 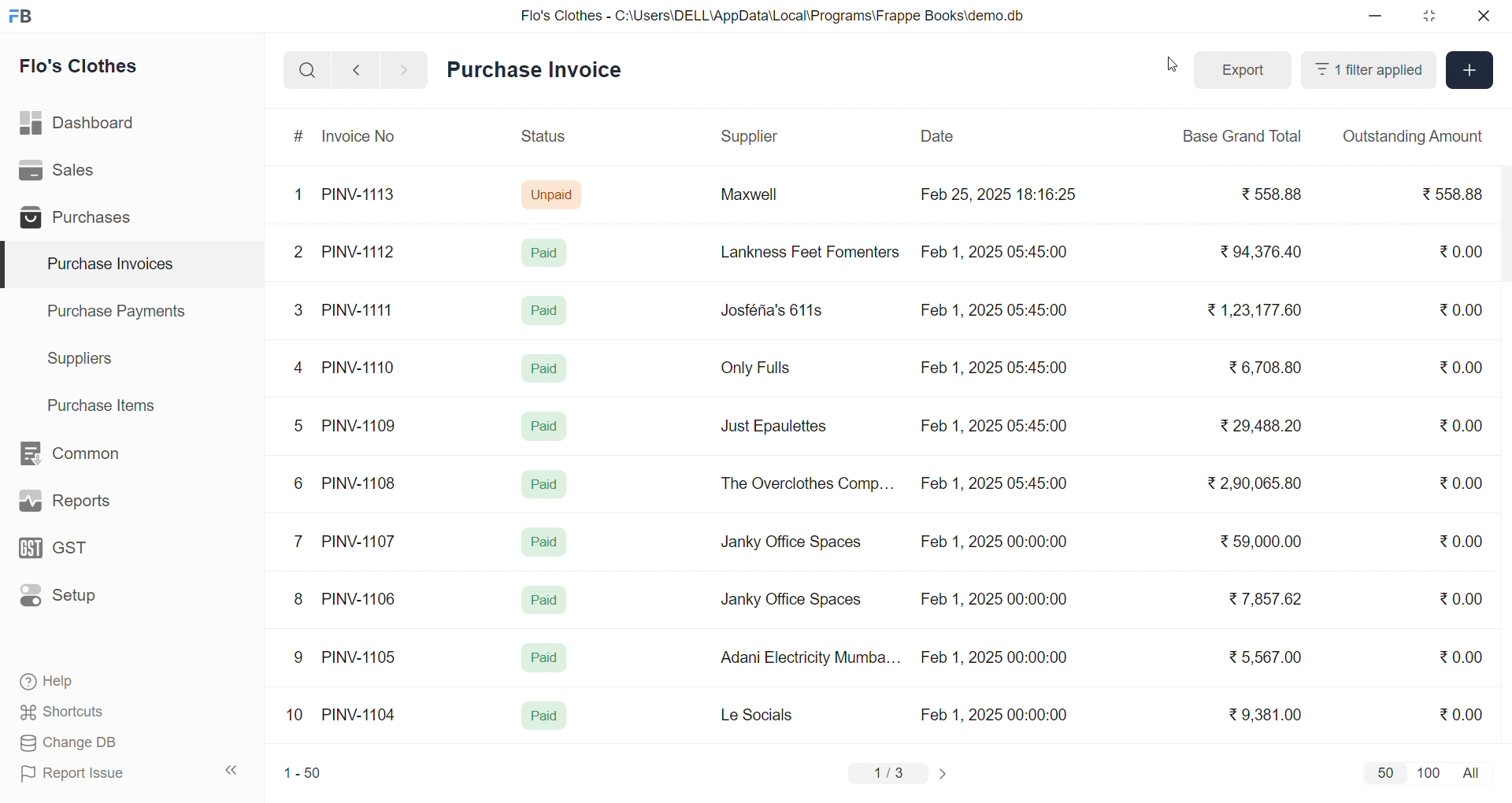 I want to click on Help, so click(x=98, y=683).